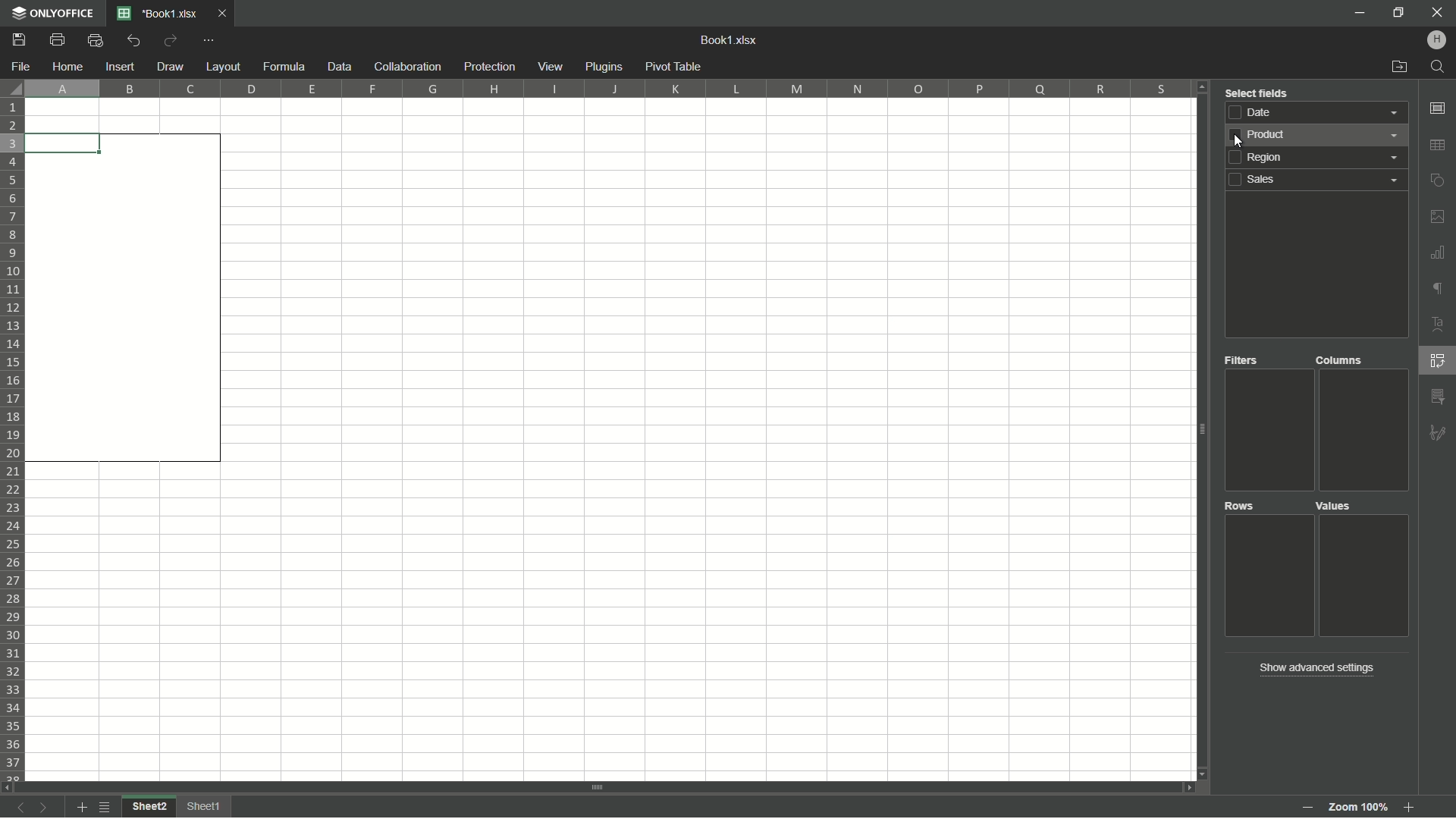 The width and height of the screenshot is (1456, 819). Describe the element at coordinates (1439, 67) in the screenshot. I see `find` at that location.